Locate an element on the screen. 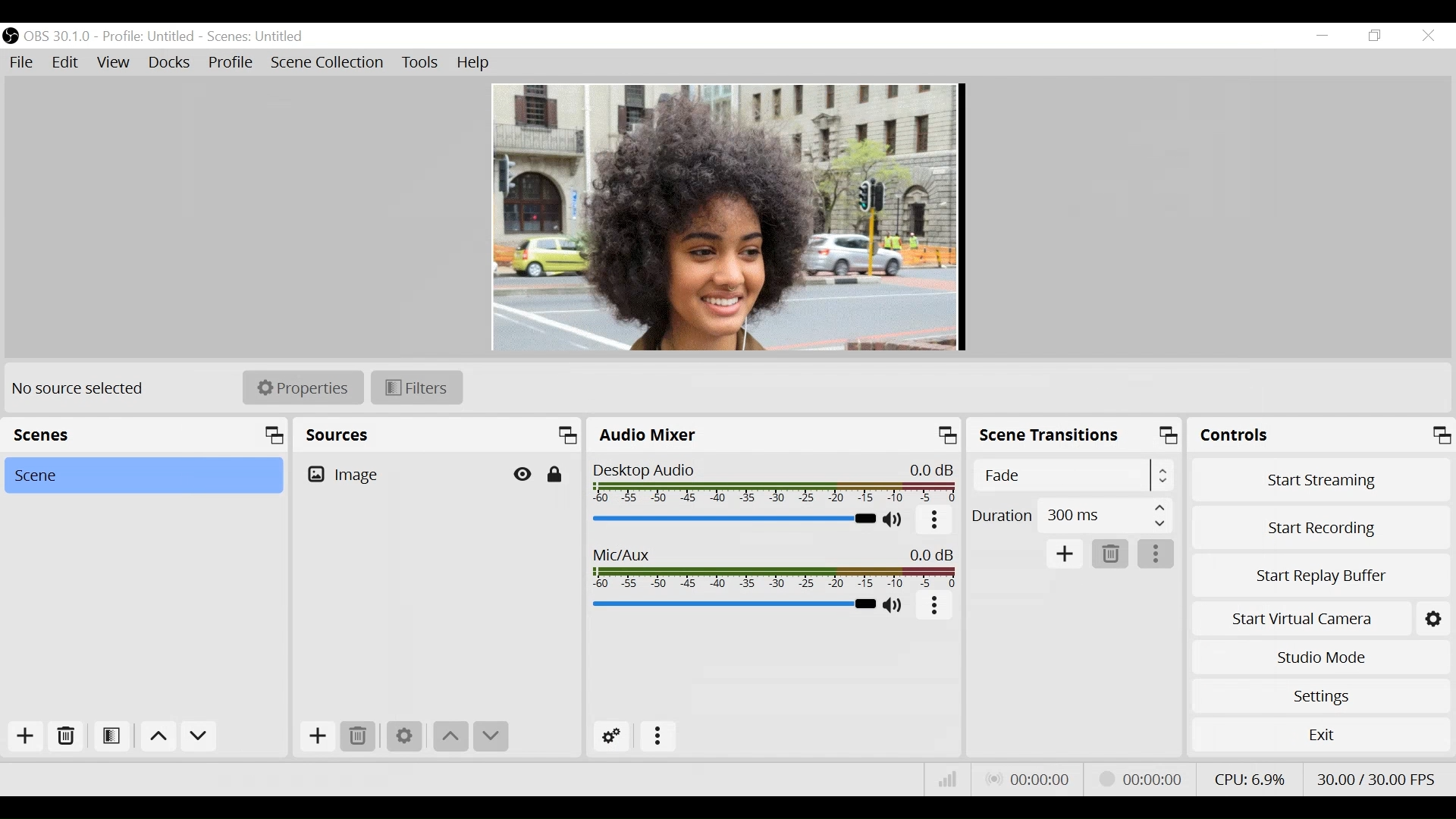  Properties is located at coordinates (304, 388).